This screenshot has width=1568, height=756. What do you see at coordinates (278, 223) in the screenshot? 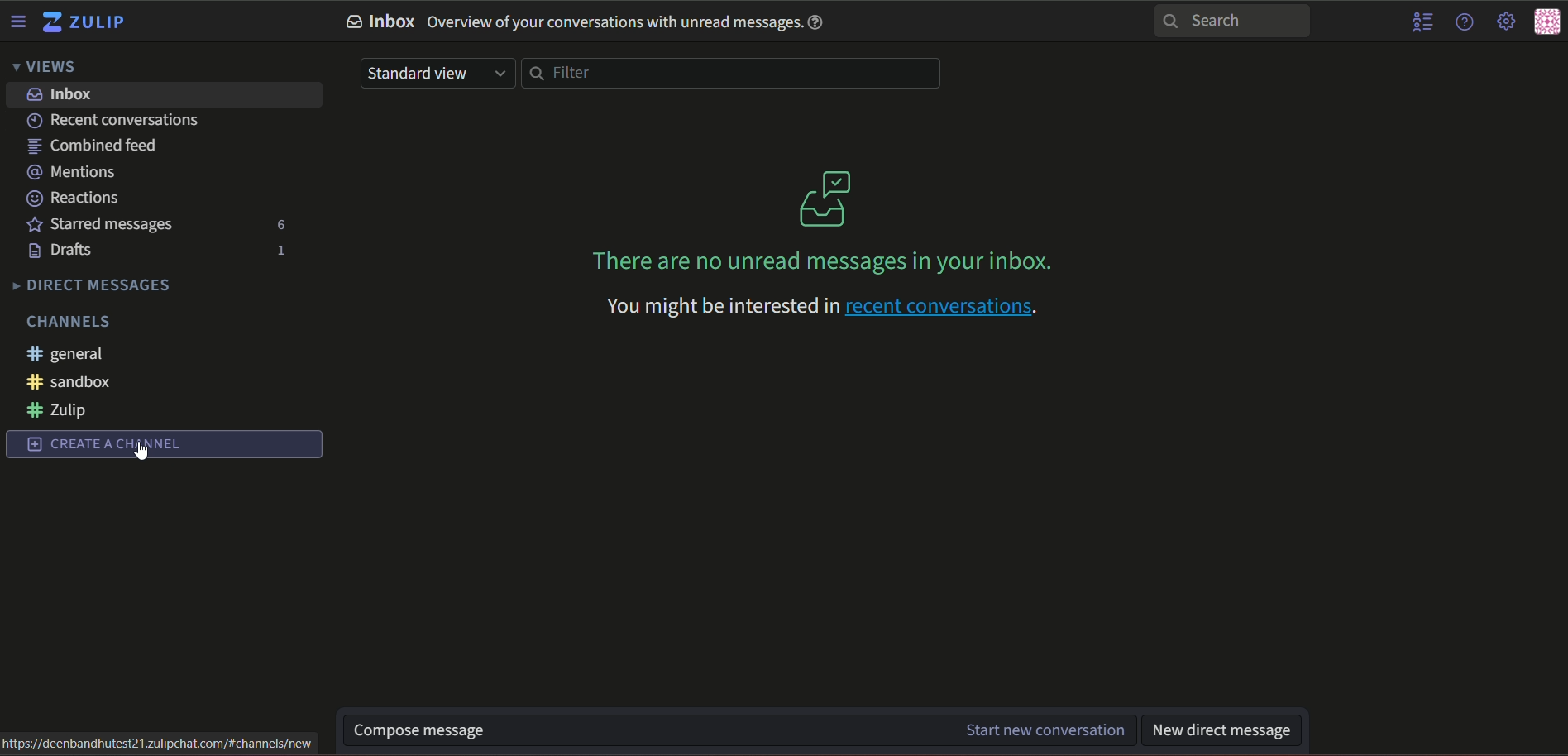
I see `6` at bounding box center [278, 223].